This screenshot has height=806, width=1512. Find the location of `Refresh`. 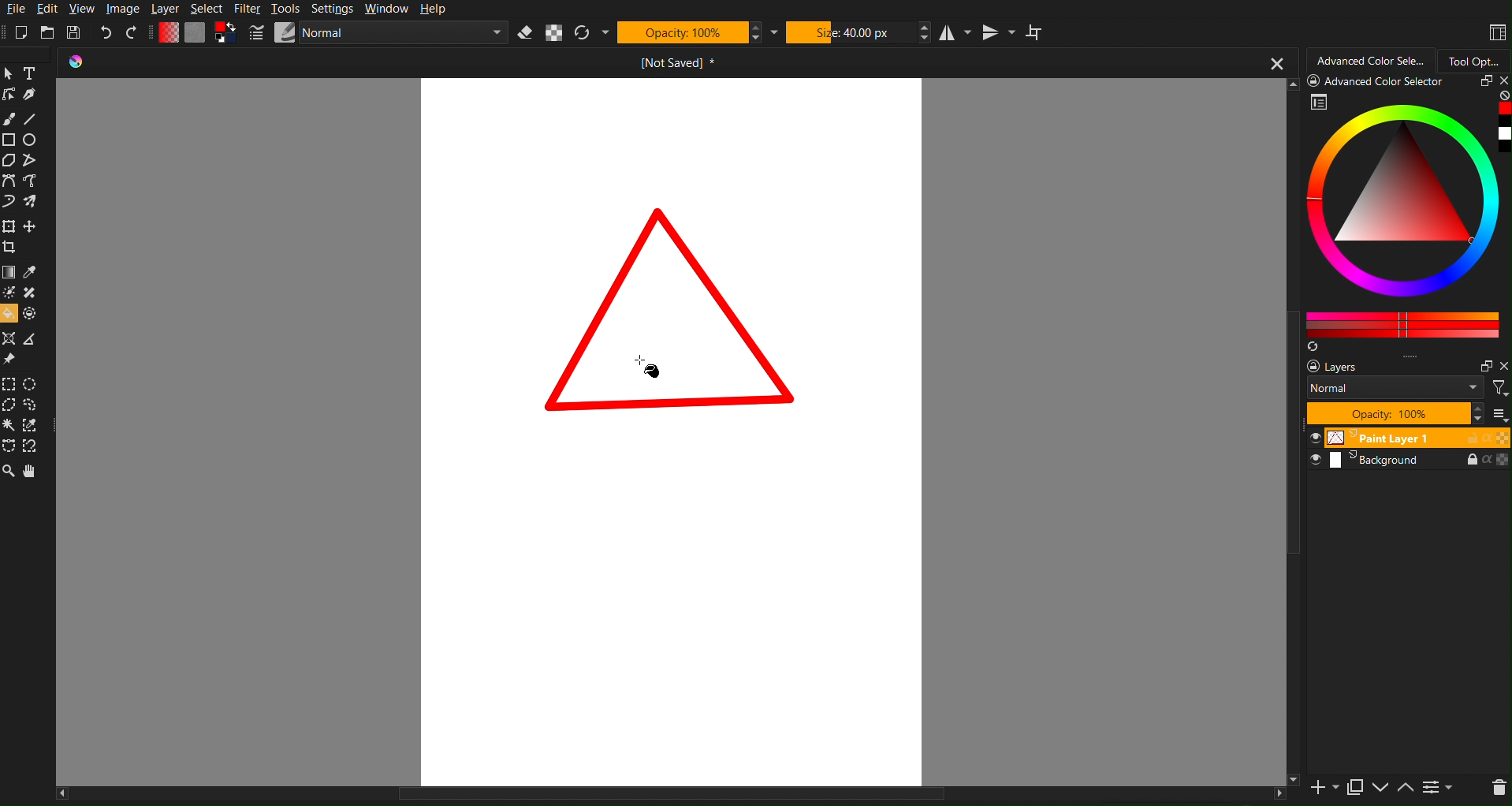

Refresh is located at coordinates (583, 33).